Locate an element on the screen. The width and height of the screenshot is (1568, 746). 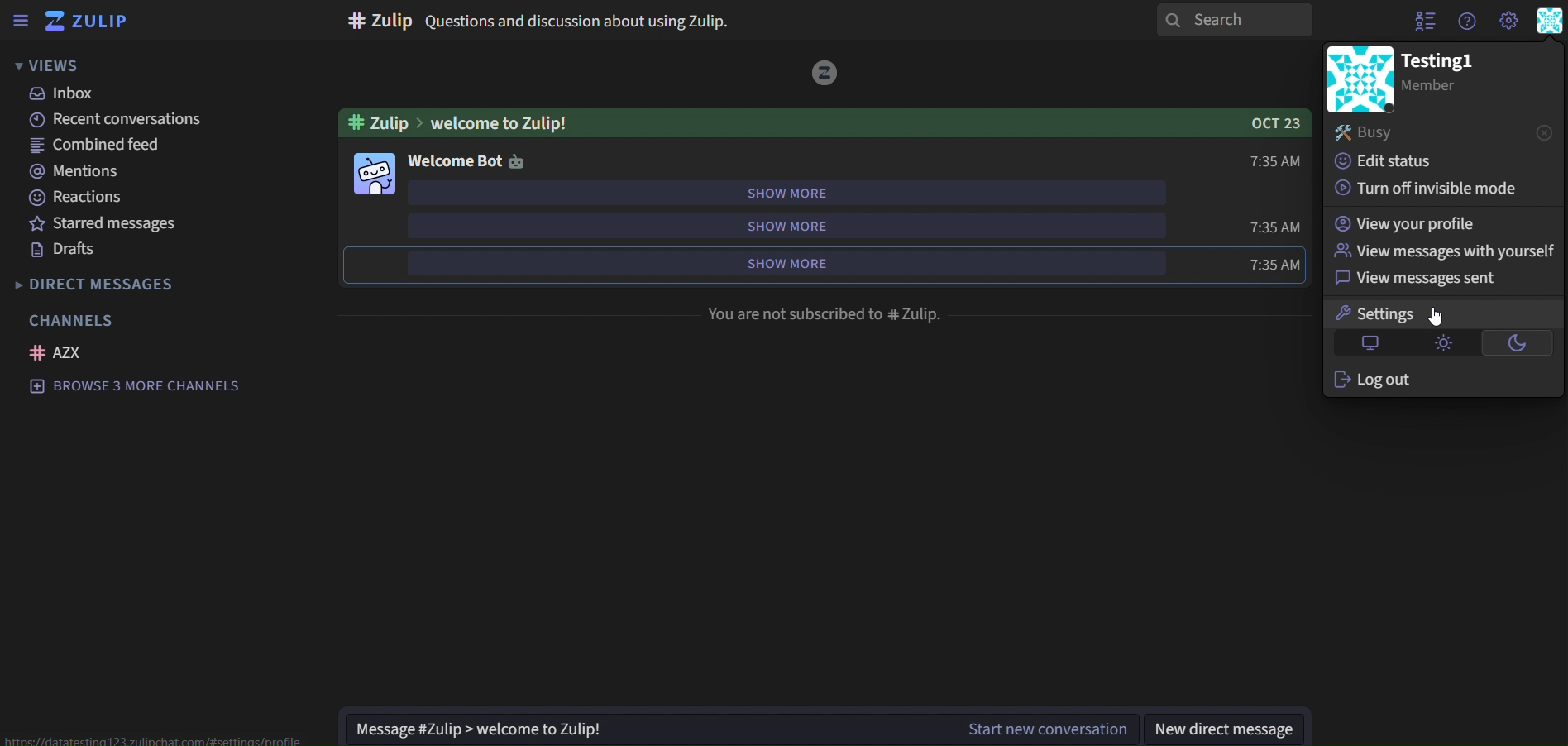
reactions is located at coordinates (83, 196).